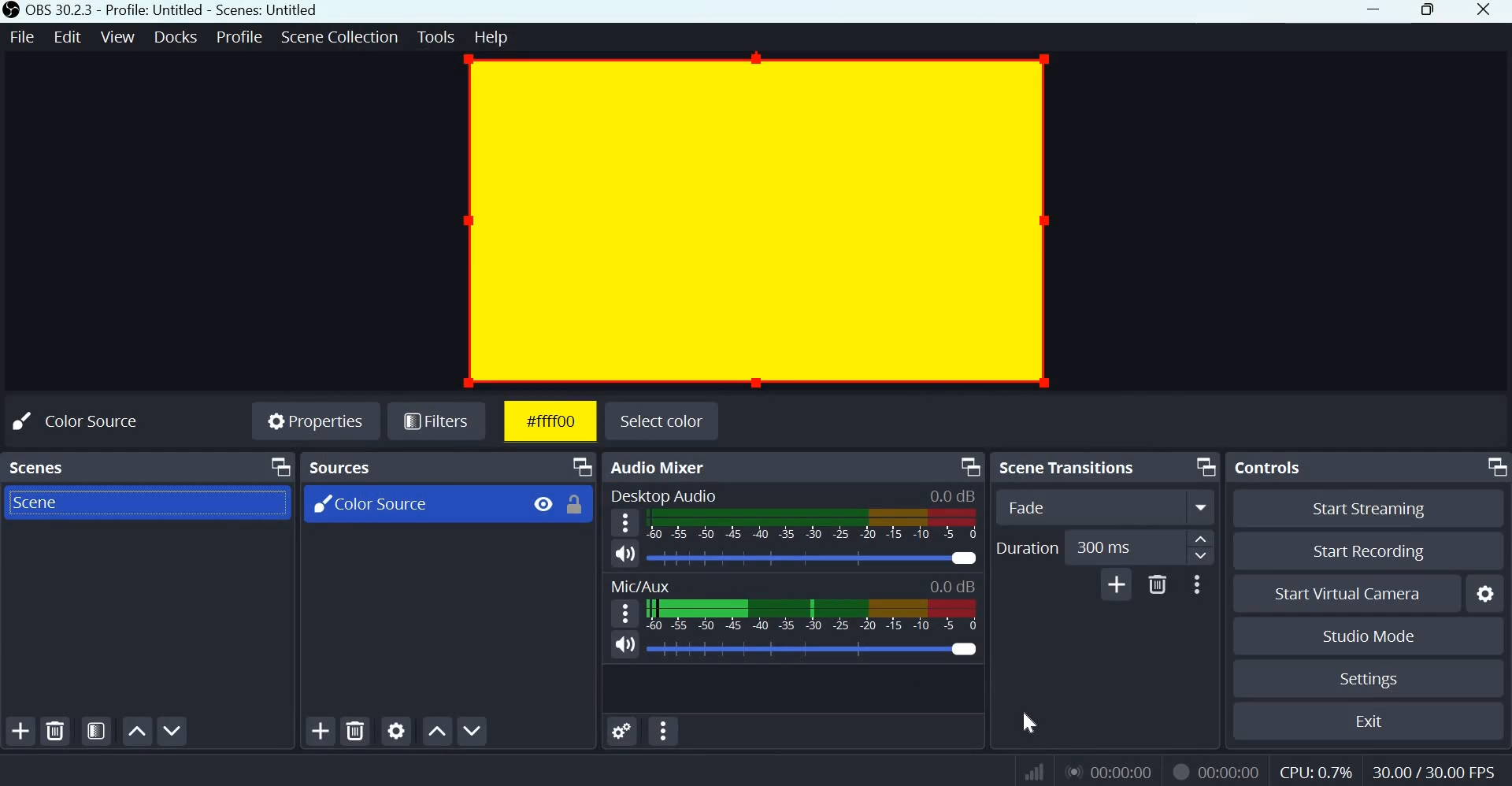 The height and width of the screenshot is (786, 1512). Describe the element at coordinates (1376, 721) in the screenshot. I see `Exit` at that location.